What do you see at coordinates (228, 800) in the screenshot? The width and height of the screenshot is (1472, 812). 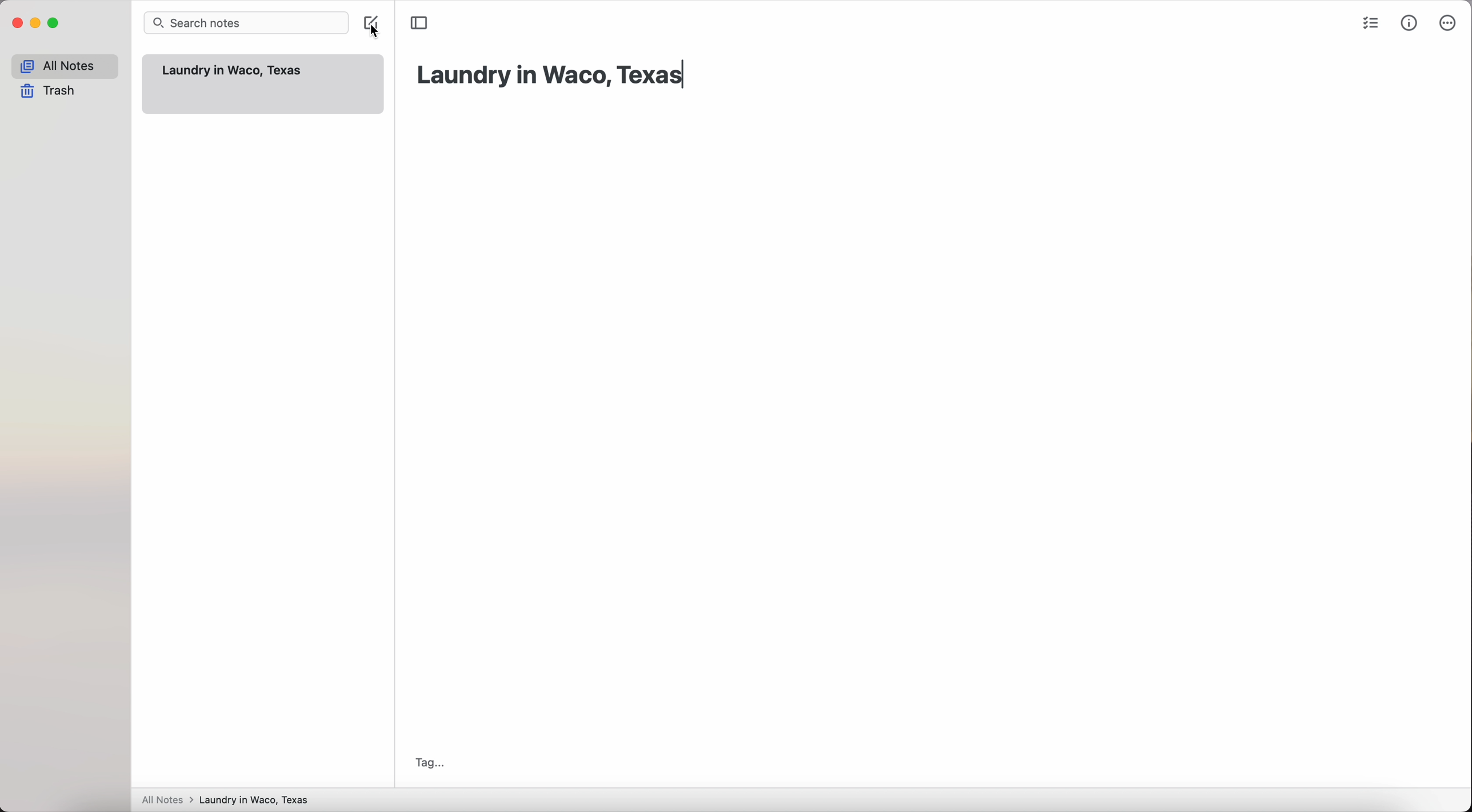 I see `all notes > Laundry in Waco, Texas` at bounding box center [228, 800].